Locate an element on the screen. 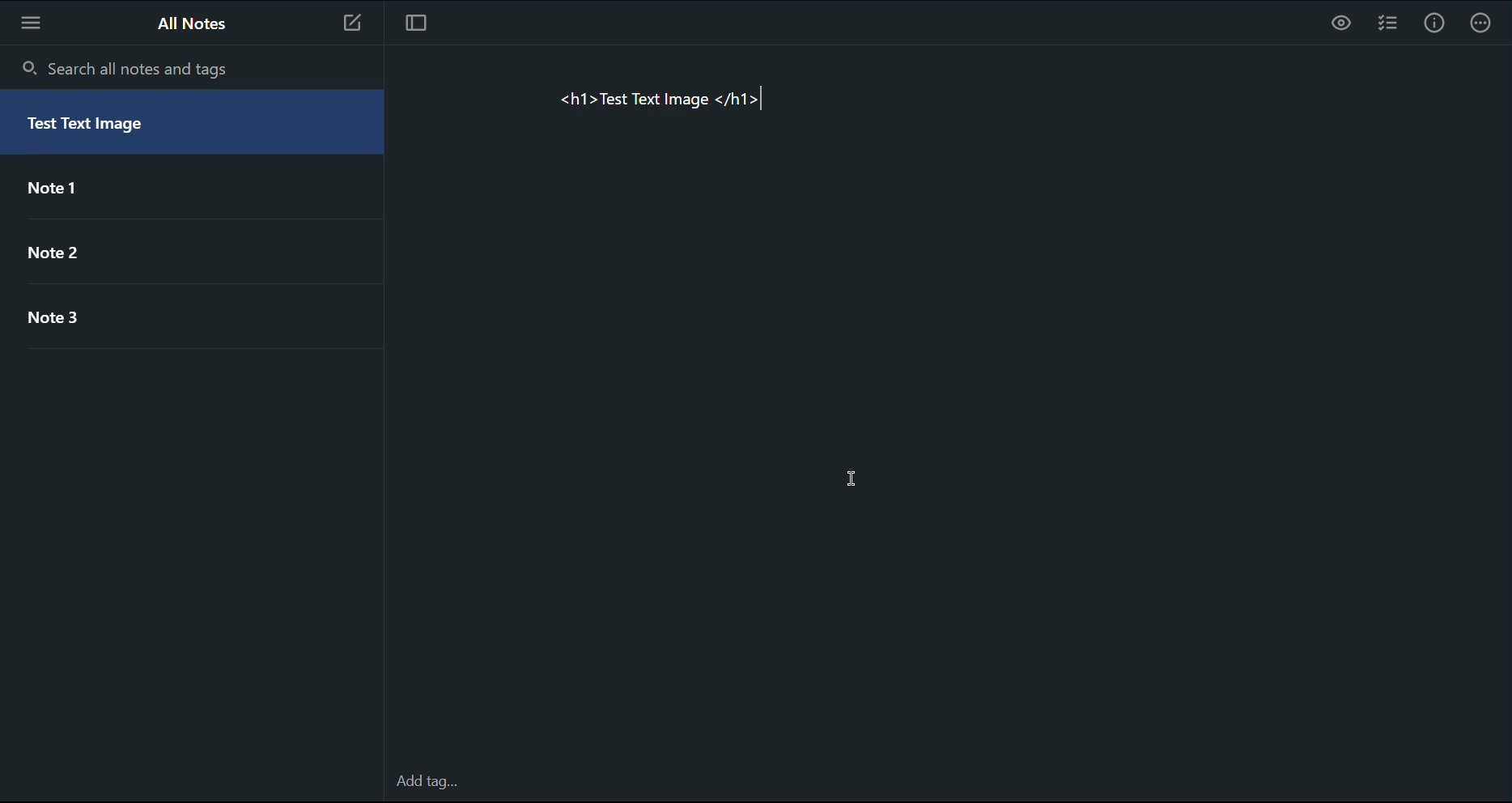 This screenshot has height=803, width=1512. Focus Mode is located at coordinates (420, 23).